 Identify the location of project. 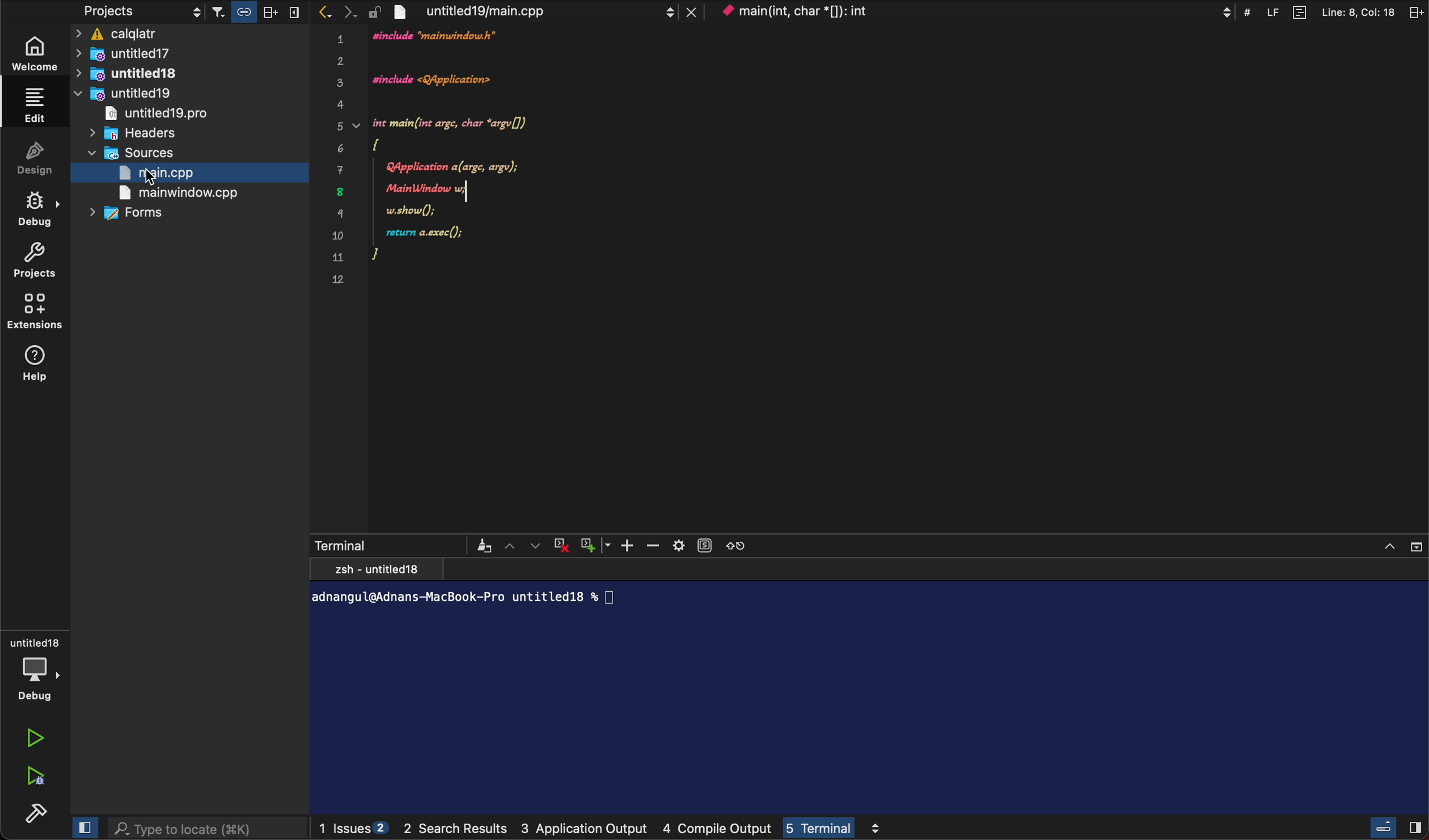
(41, 262).